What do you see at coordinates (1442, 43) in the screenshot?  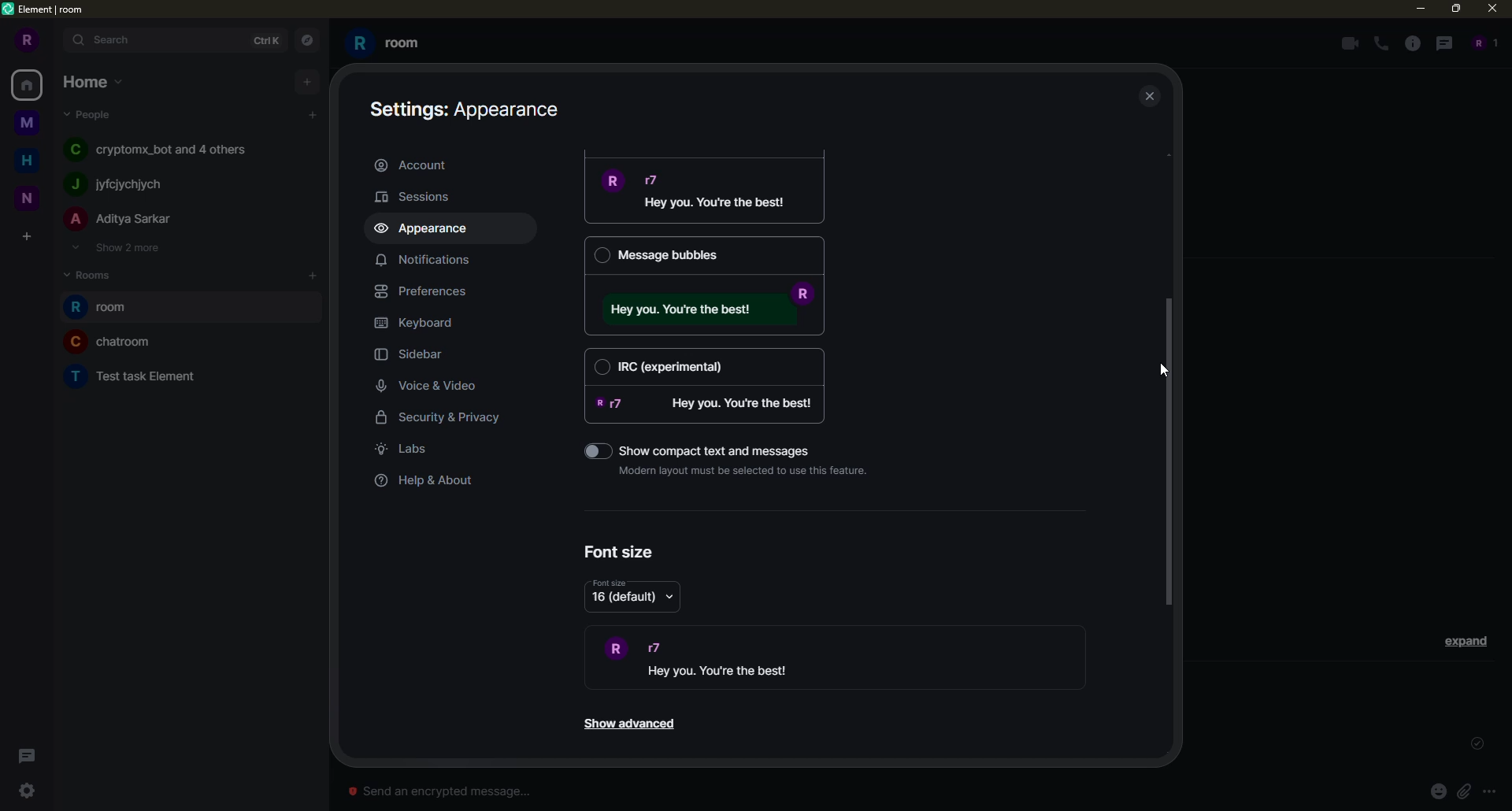 I see `threads` at bounding box center [1442, 43].